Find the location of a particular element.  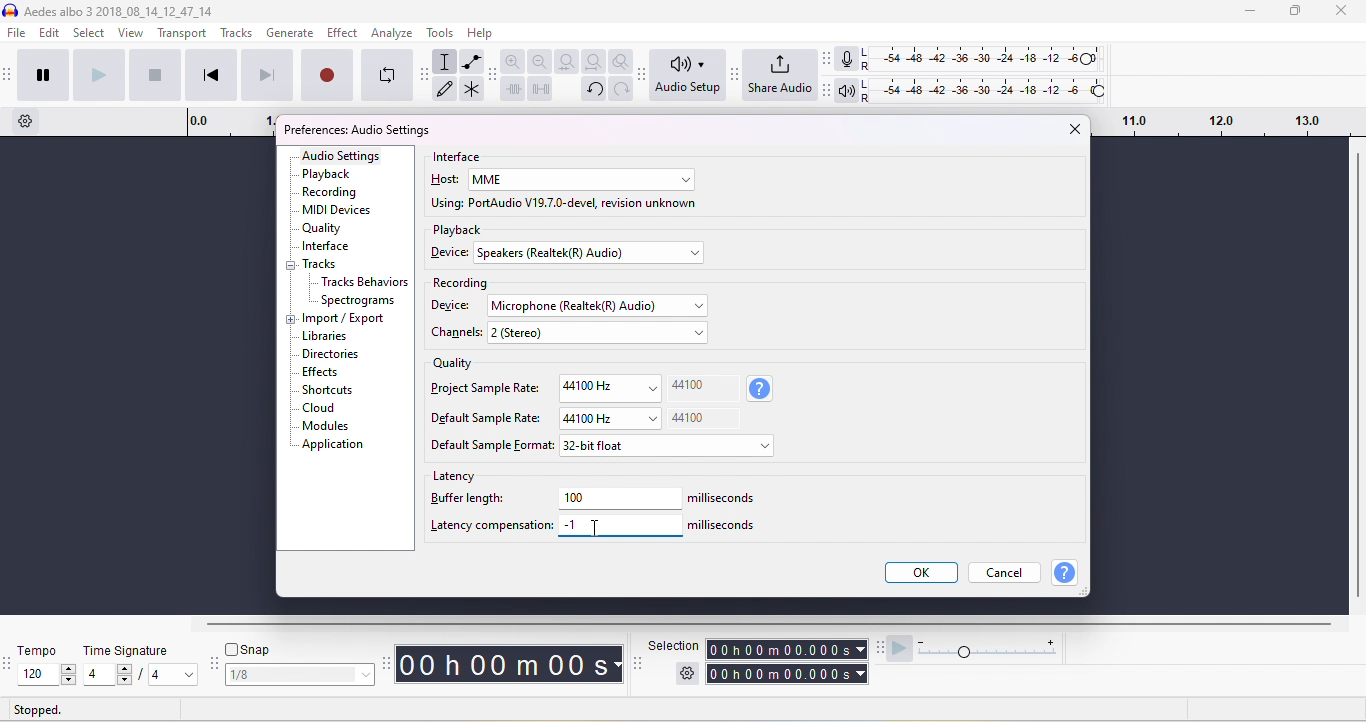

Default sample rate: is located at coordinates (487, 418).